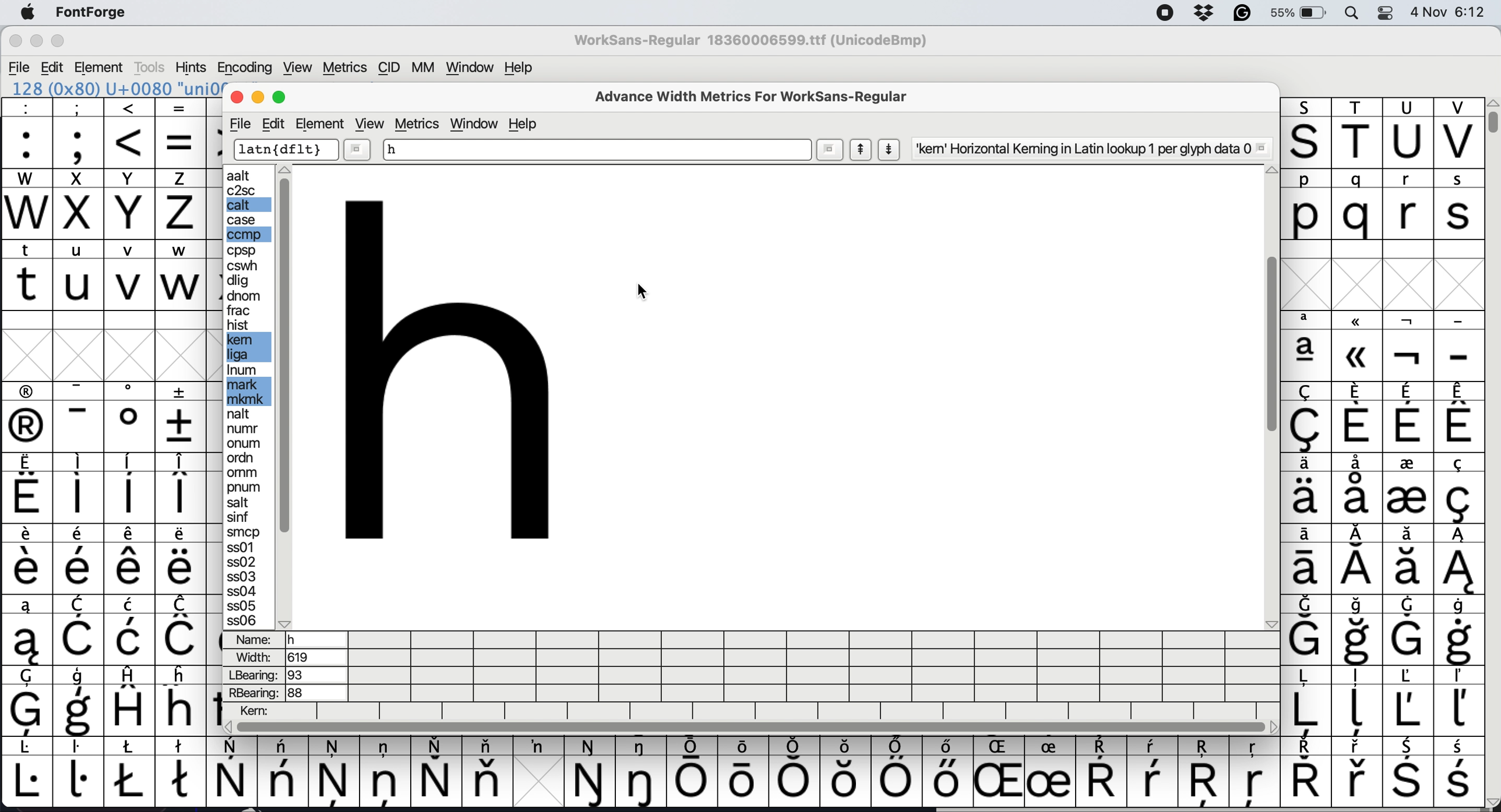  What do you see at coordinates (663, 301) in the screenshot?
I see `cursor` at bounding box center [663, 301].